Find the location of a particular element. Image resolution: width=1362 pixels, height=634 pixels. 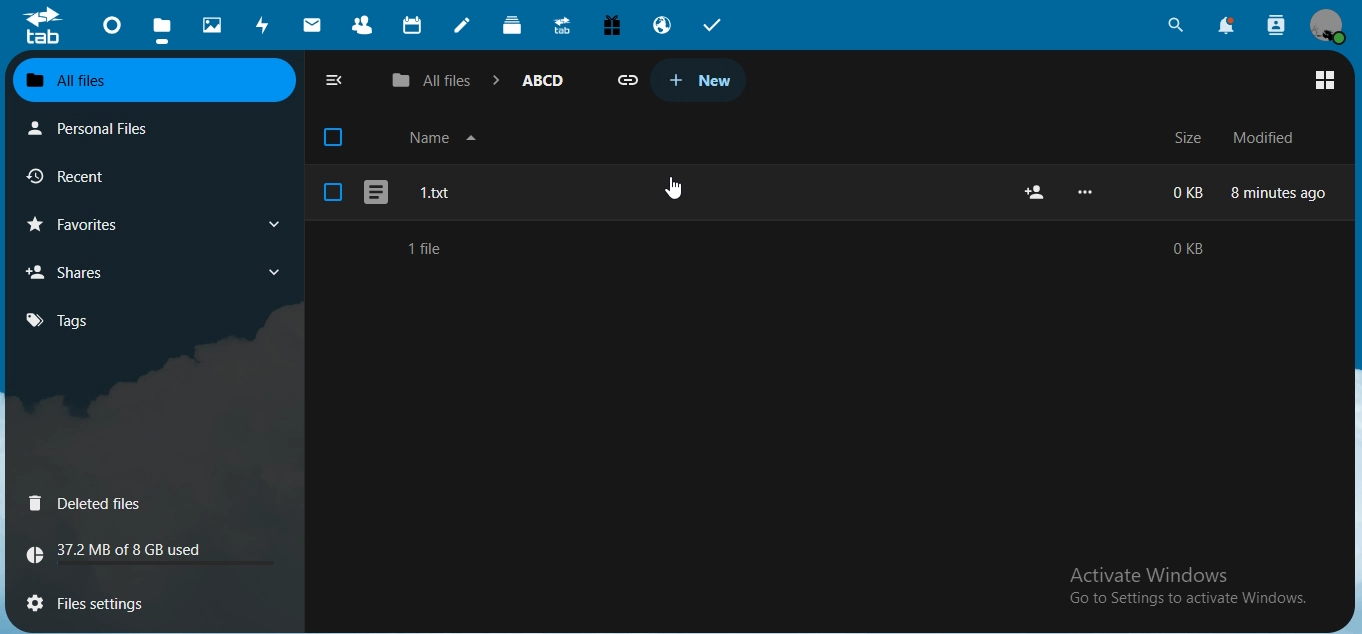

tags is located at coordinates (58, 321).